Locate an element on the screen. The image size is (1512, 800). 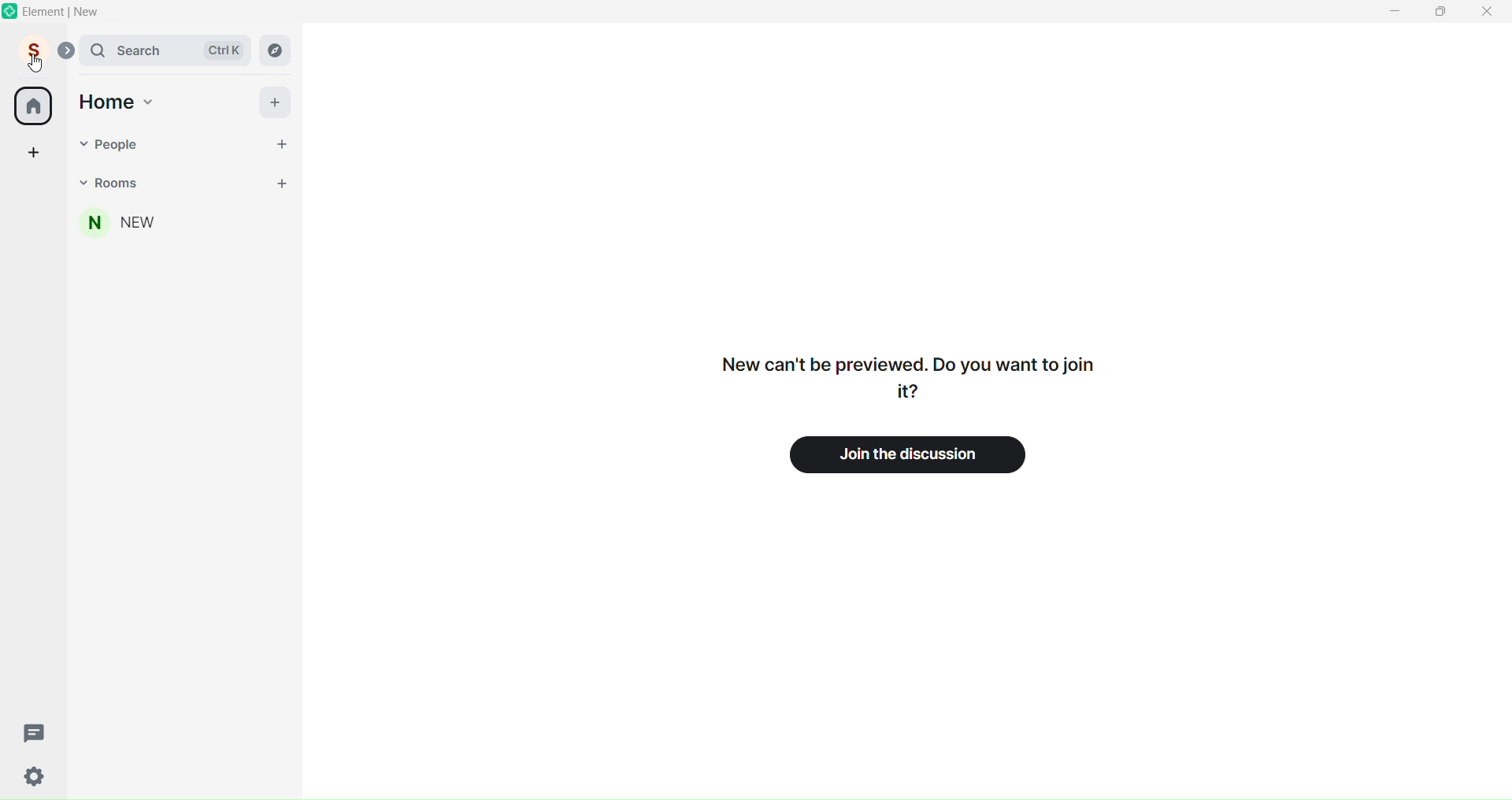
Minimize is located at coordinates (1394, 12).